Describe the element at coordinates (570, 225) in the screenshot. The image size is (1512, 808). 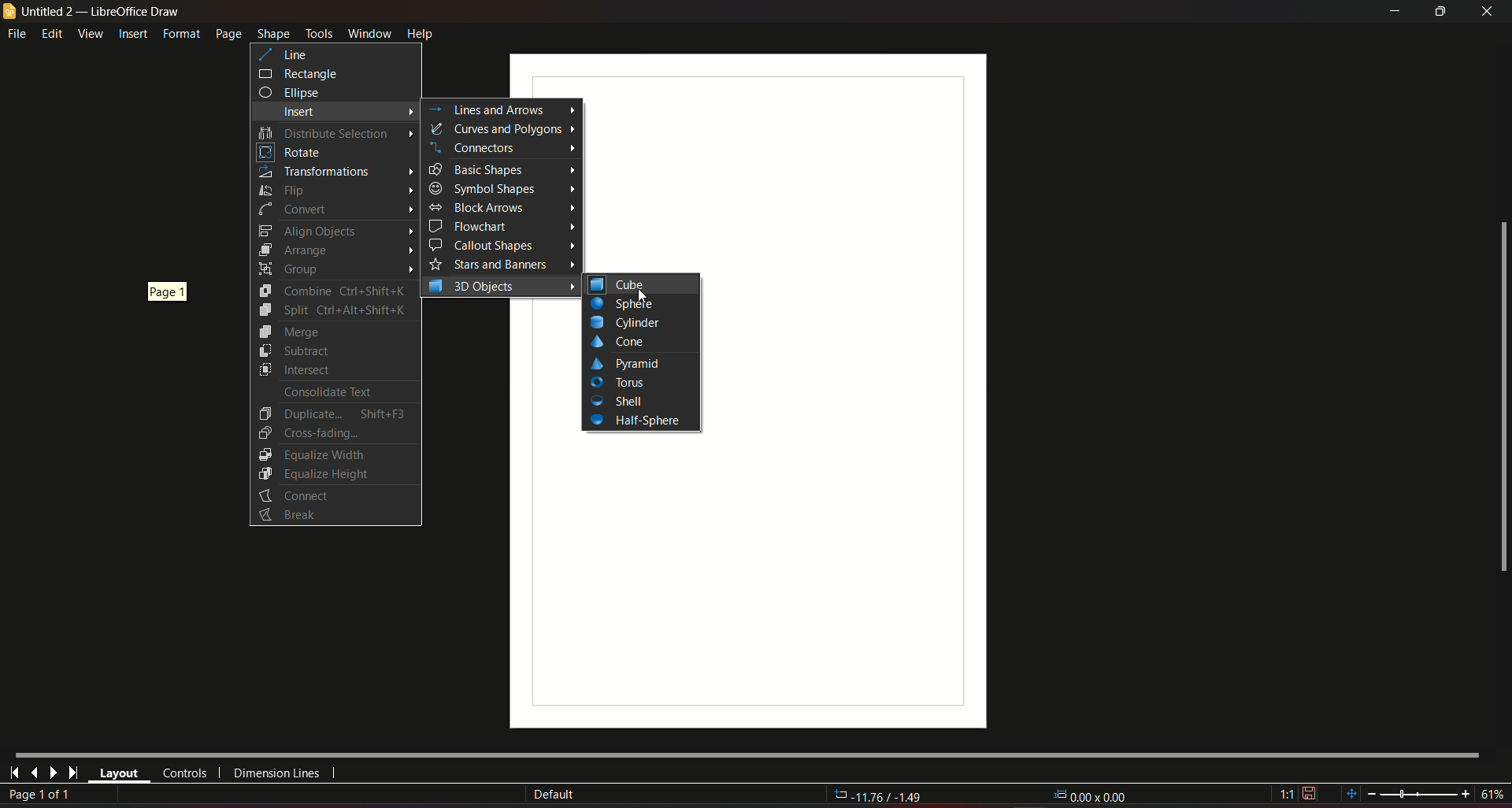
I see `Arrow` at that location.